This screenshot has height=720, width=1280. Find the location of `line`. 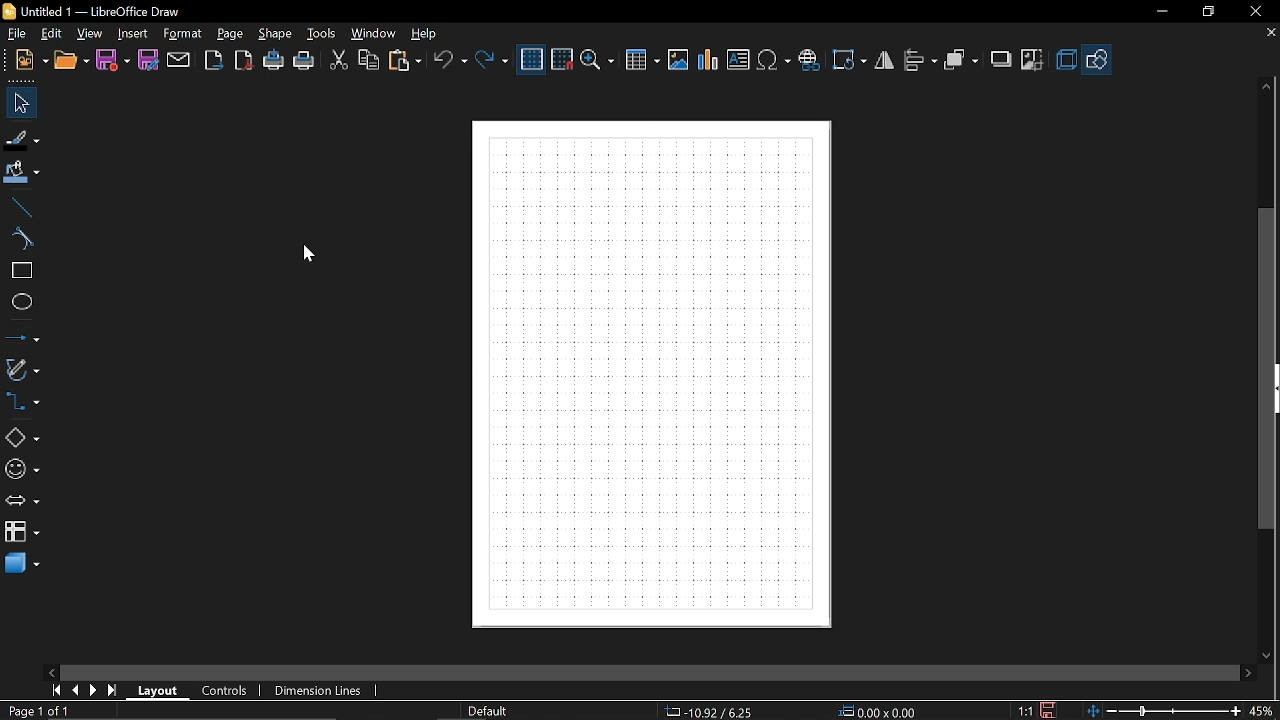

line is located at coordinates (21, 208).